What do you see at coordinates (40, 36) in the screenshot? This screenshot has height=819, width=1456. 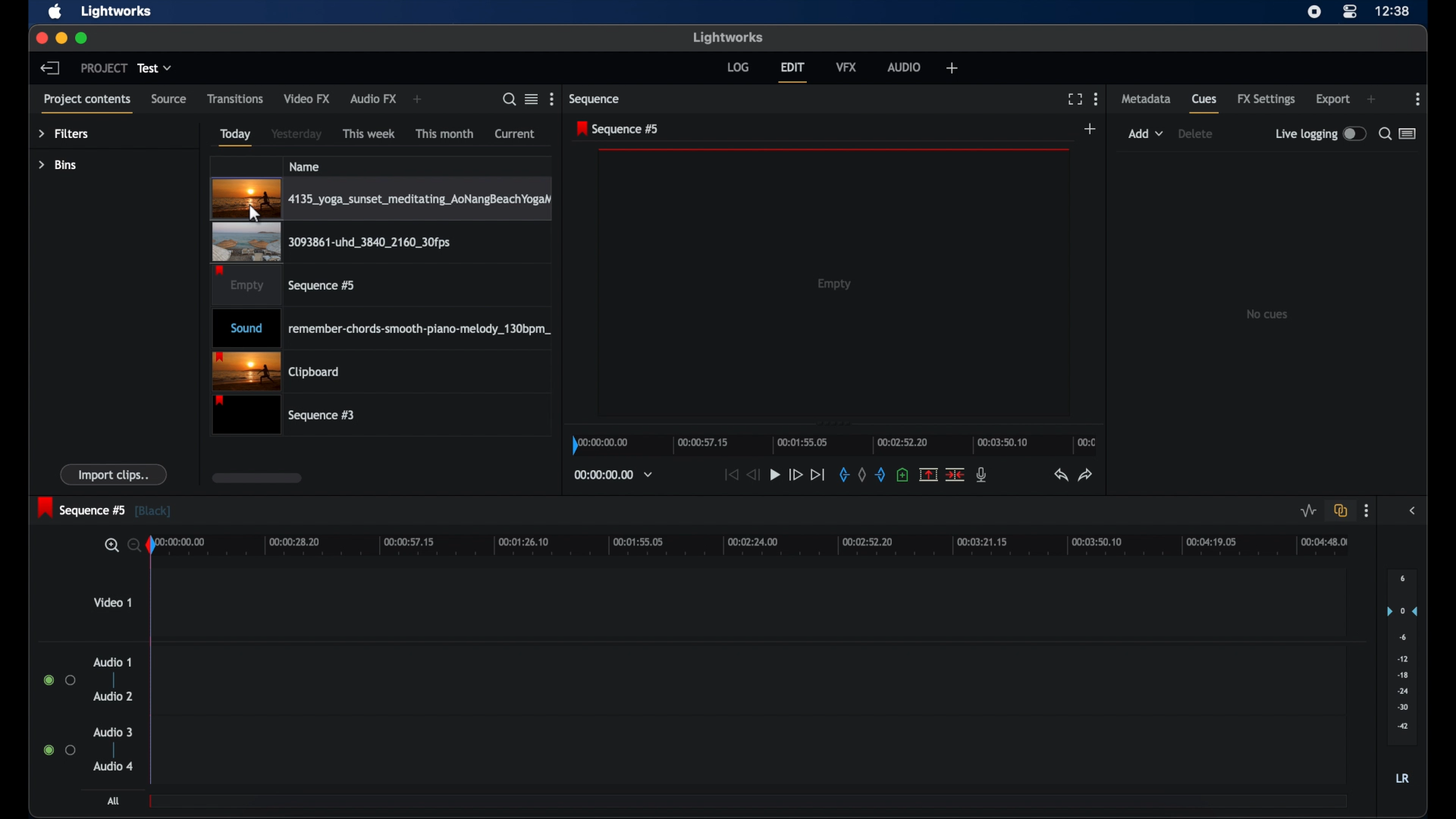 I see `close` at bounding box center [40, 36].